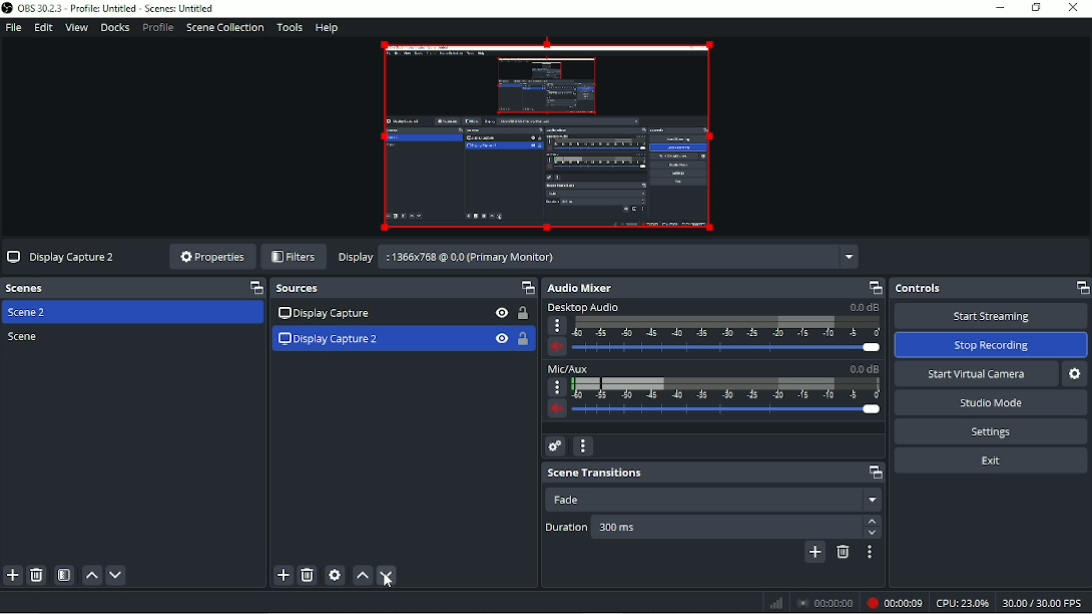 Image resolution: width=1092 pixels, height=614 pixels. I want to click on Lock, so click(523, 313).